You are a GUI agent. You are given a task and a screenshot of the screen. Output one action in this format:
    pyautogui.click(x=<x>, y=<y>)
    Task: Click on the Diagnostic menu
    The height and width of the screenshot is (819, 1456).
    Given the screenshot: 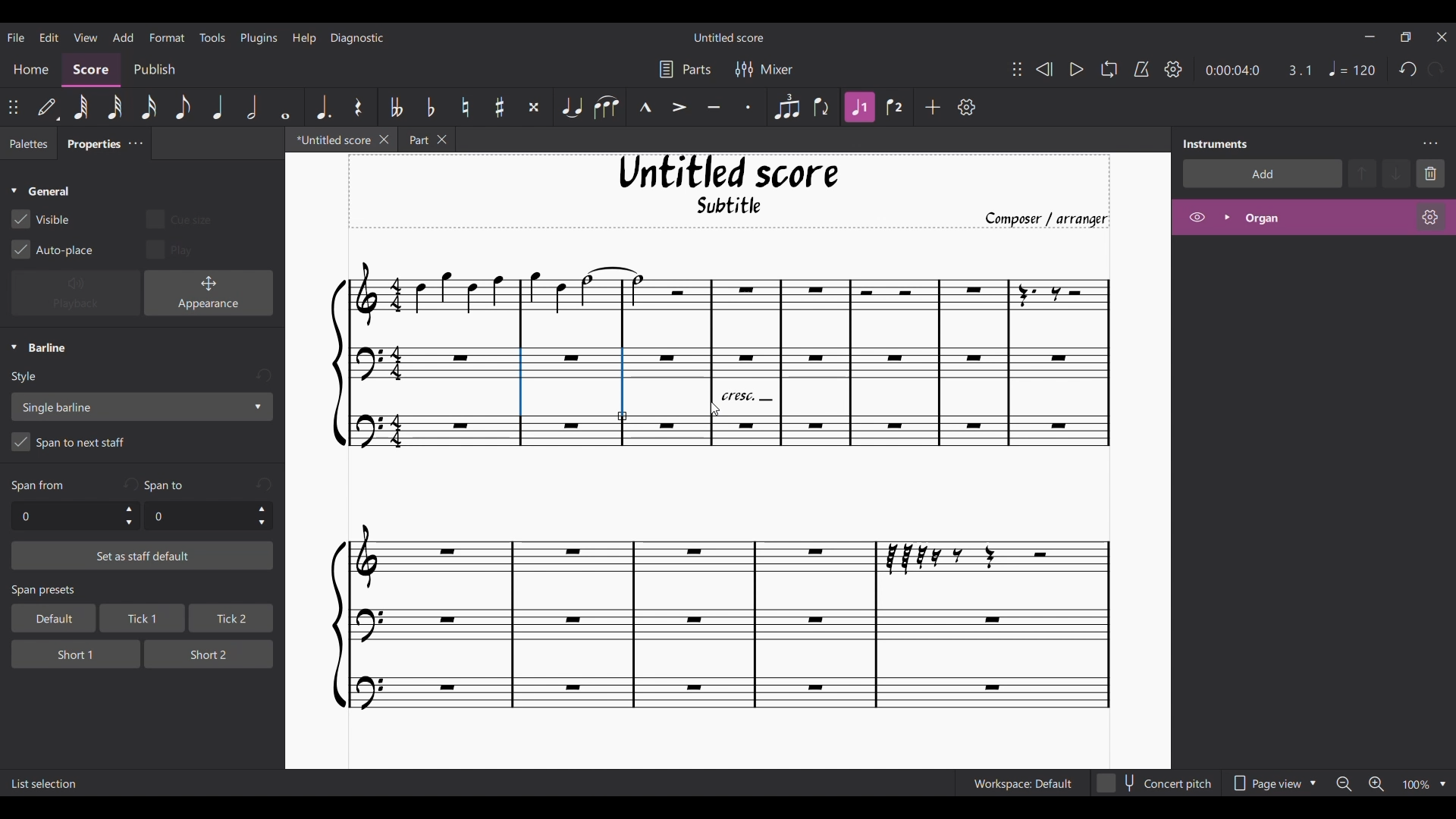 What is the action you would take?
    pyautogui.click(x=358, y=37)
    